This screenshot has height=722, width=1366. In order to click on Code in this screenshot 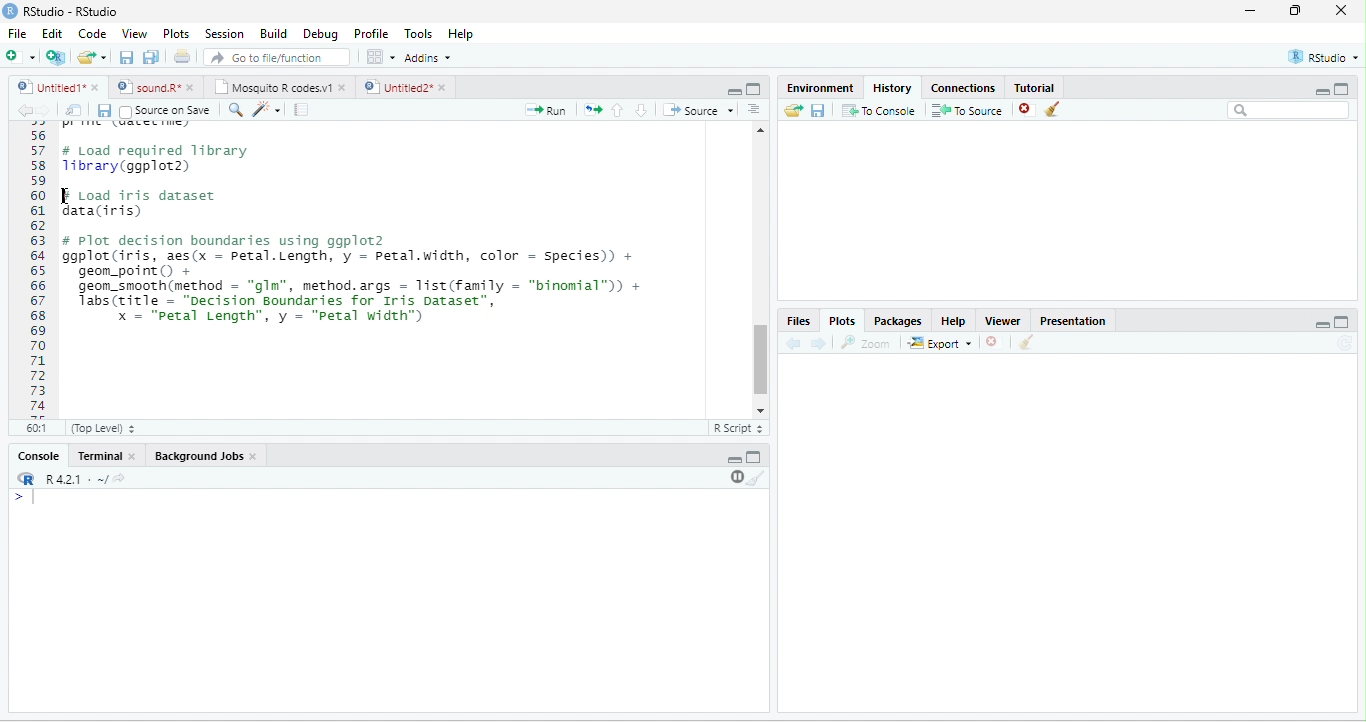, I will do `click(92, 33)`.